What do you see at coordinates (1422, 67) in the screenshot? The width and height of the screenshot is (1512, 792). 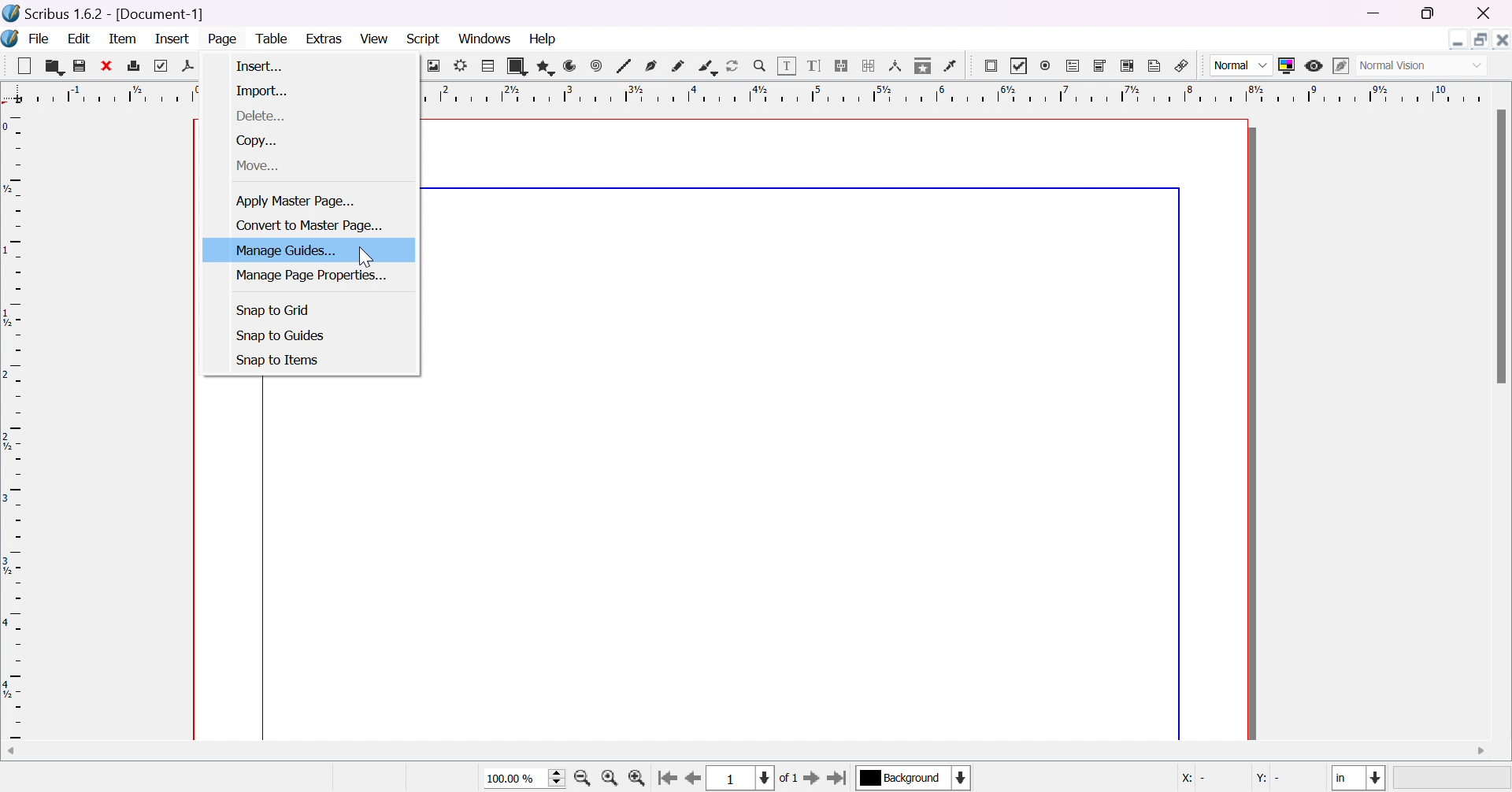 I see `Select visual appearance of display` at bounding box center [1422, 67].